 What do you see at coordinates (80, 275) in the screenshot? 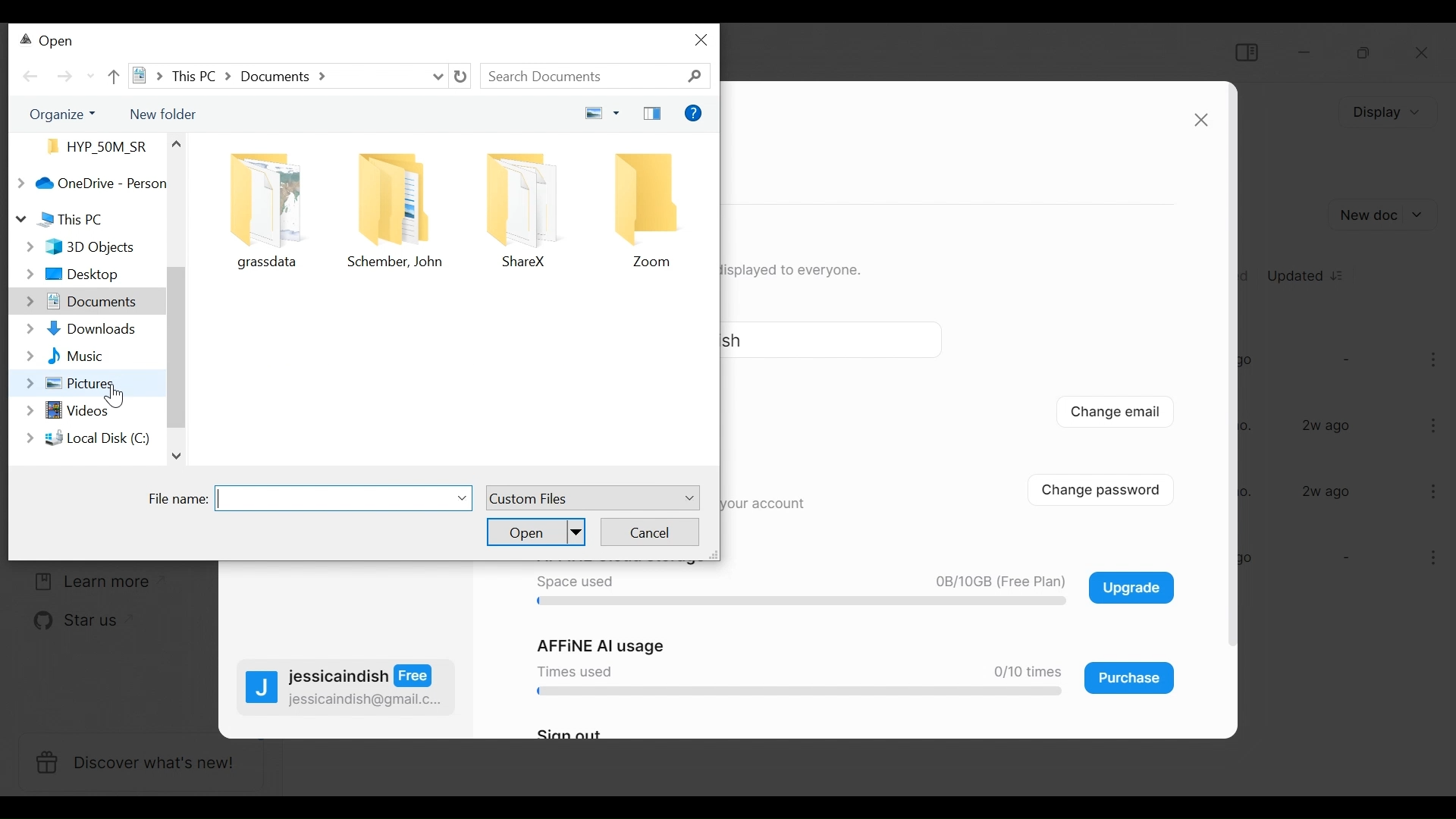
I see `Desktop` at bounding box center [80, 275].